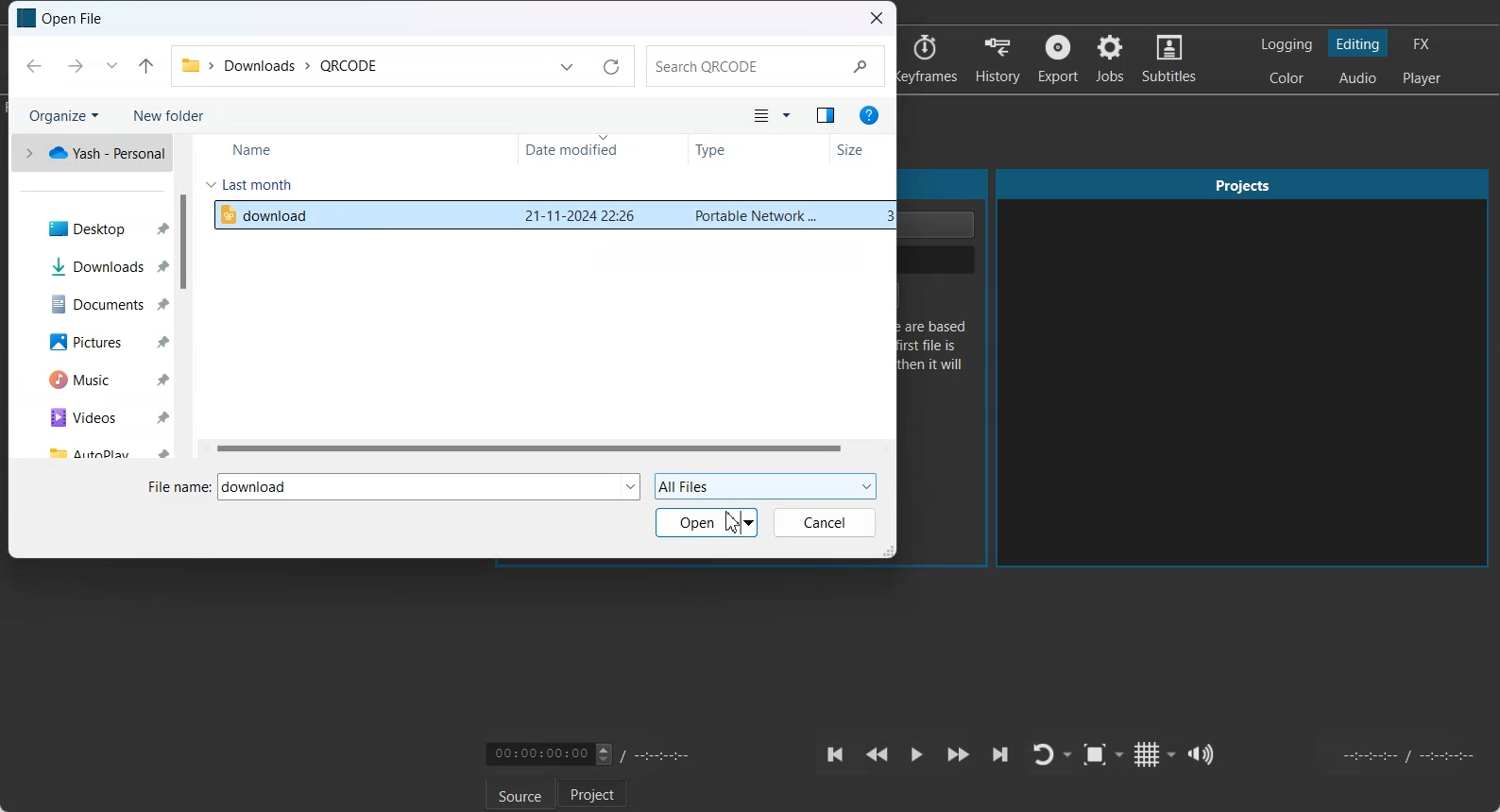 The image size is (1500, 812). I want to click on New Folder, so click(169, 115).